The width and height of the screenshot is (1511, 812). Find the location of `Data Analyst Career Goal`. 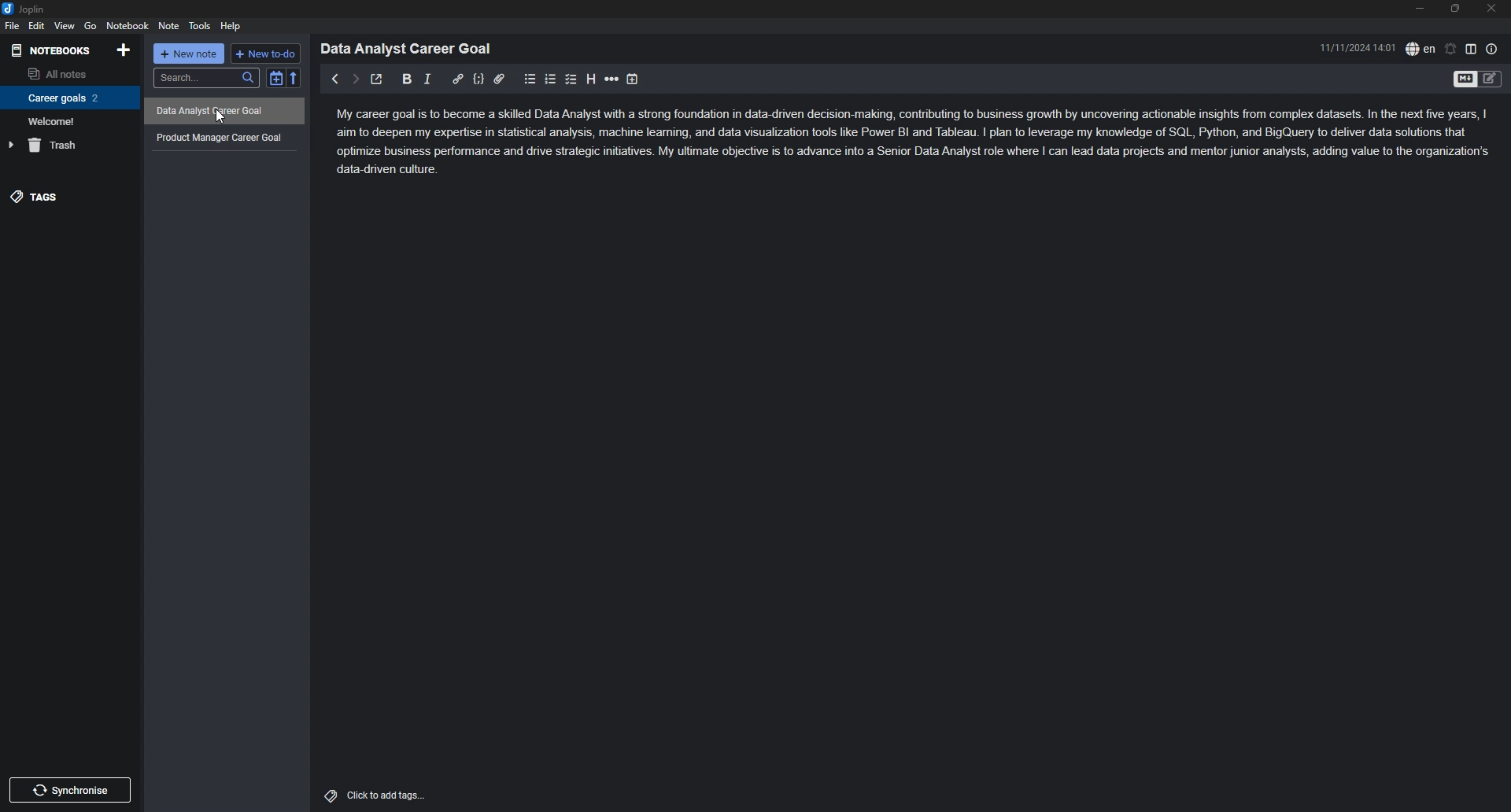

Data Analyst Career Goal is located at coordinates (412, 48).